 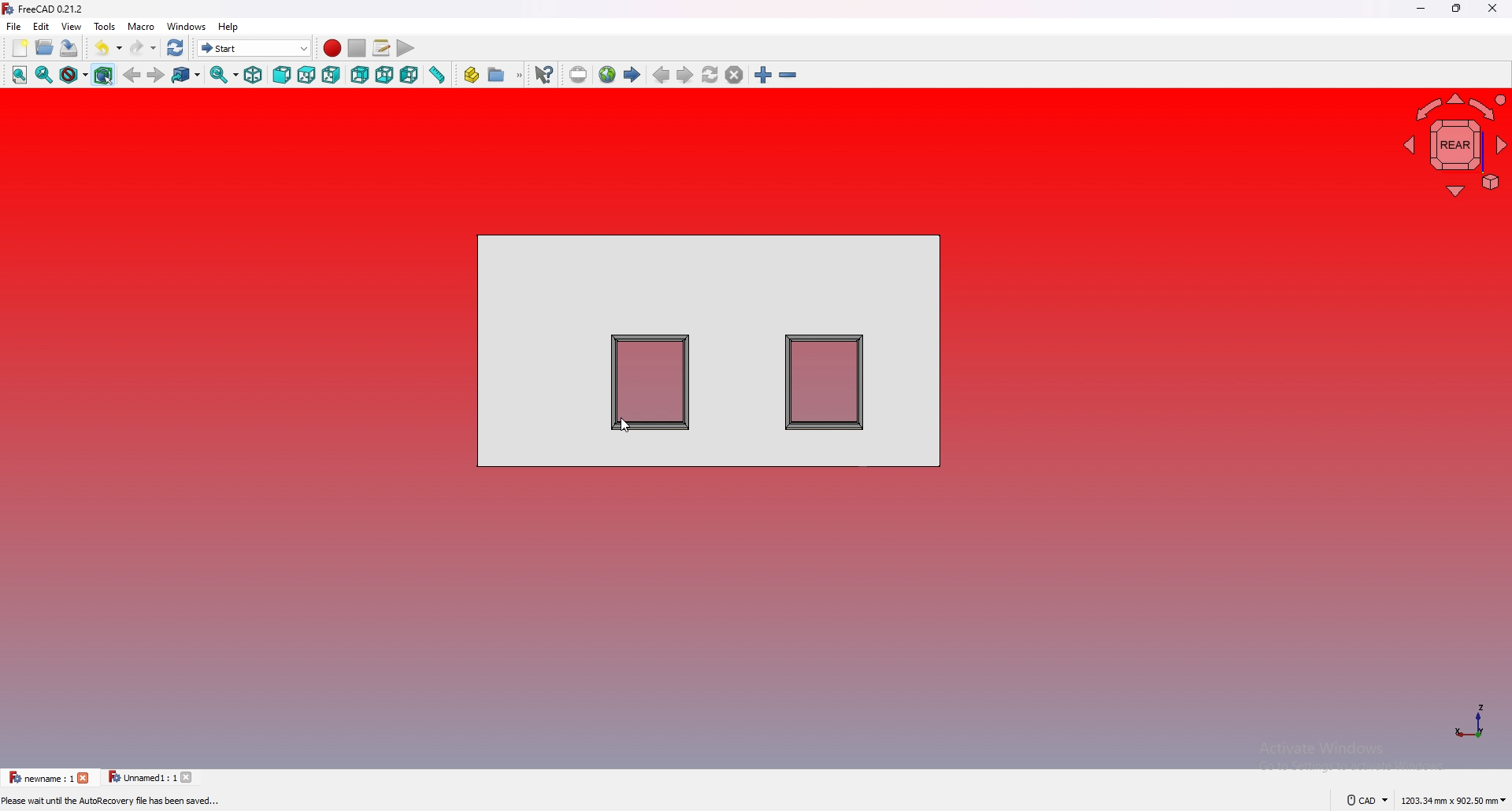 I want to click on close tab, so click(x=87, y=778).